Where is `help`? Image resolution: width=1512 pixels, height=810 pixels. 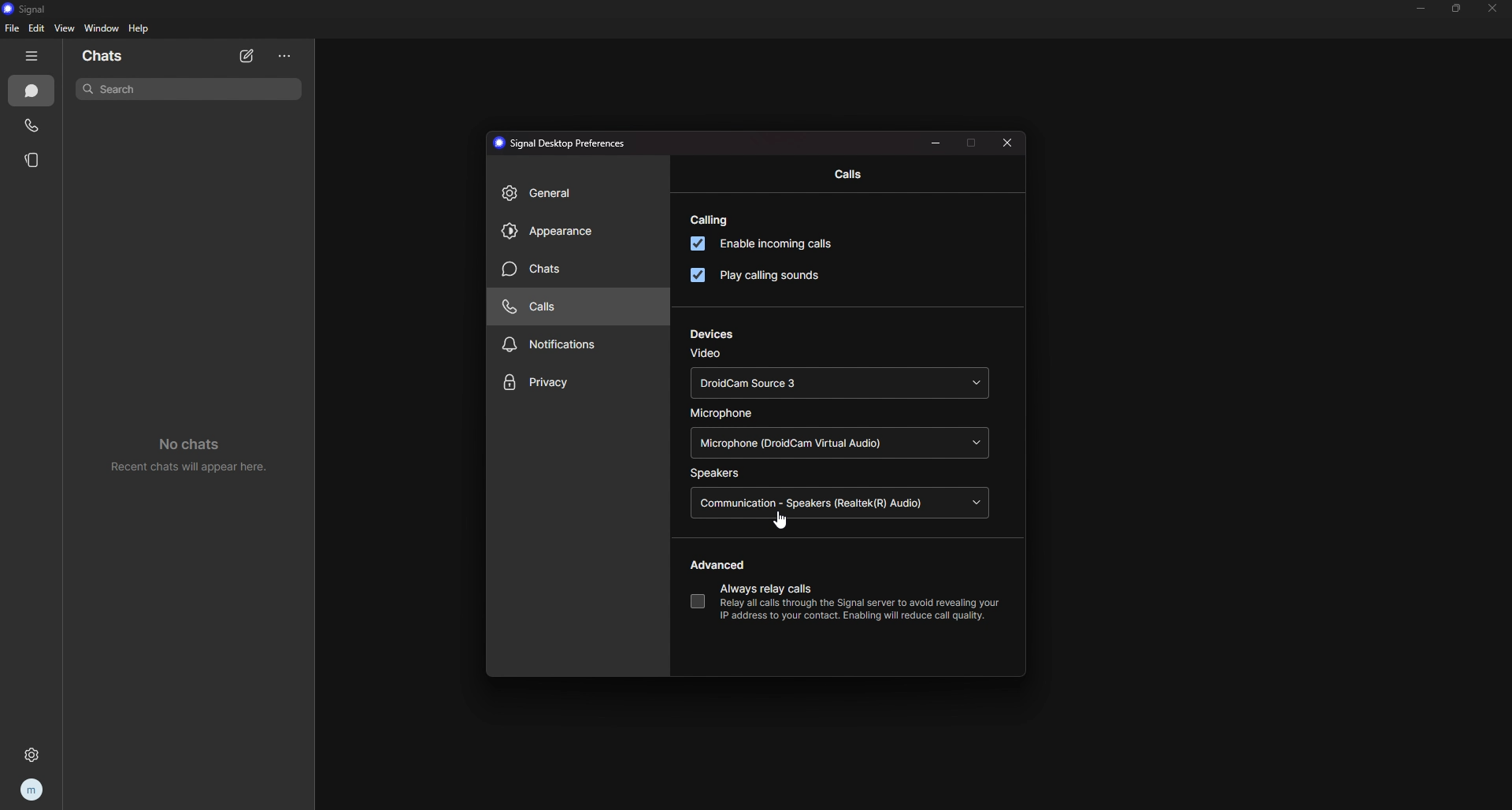 help is located at coordinates (140, 28).